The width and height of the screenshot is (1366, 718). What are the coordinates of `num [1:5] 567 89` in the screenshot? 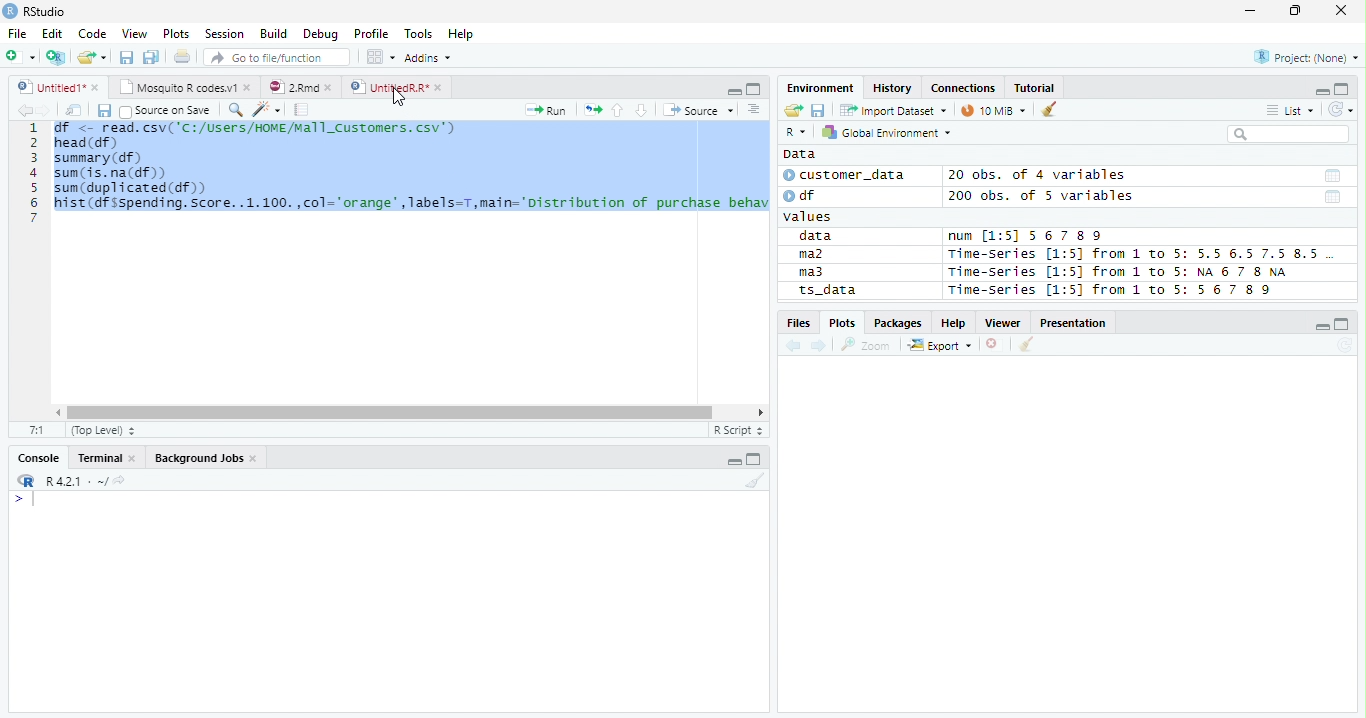 It's located at (1026, 236).